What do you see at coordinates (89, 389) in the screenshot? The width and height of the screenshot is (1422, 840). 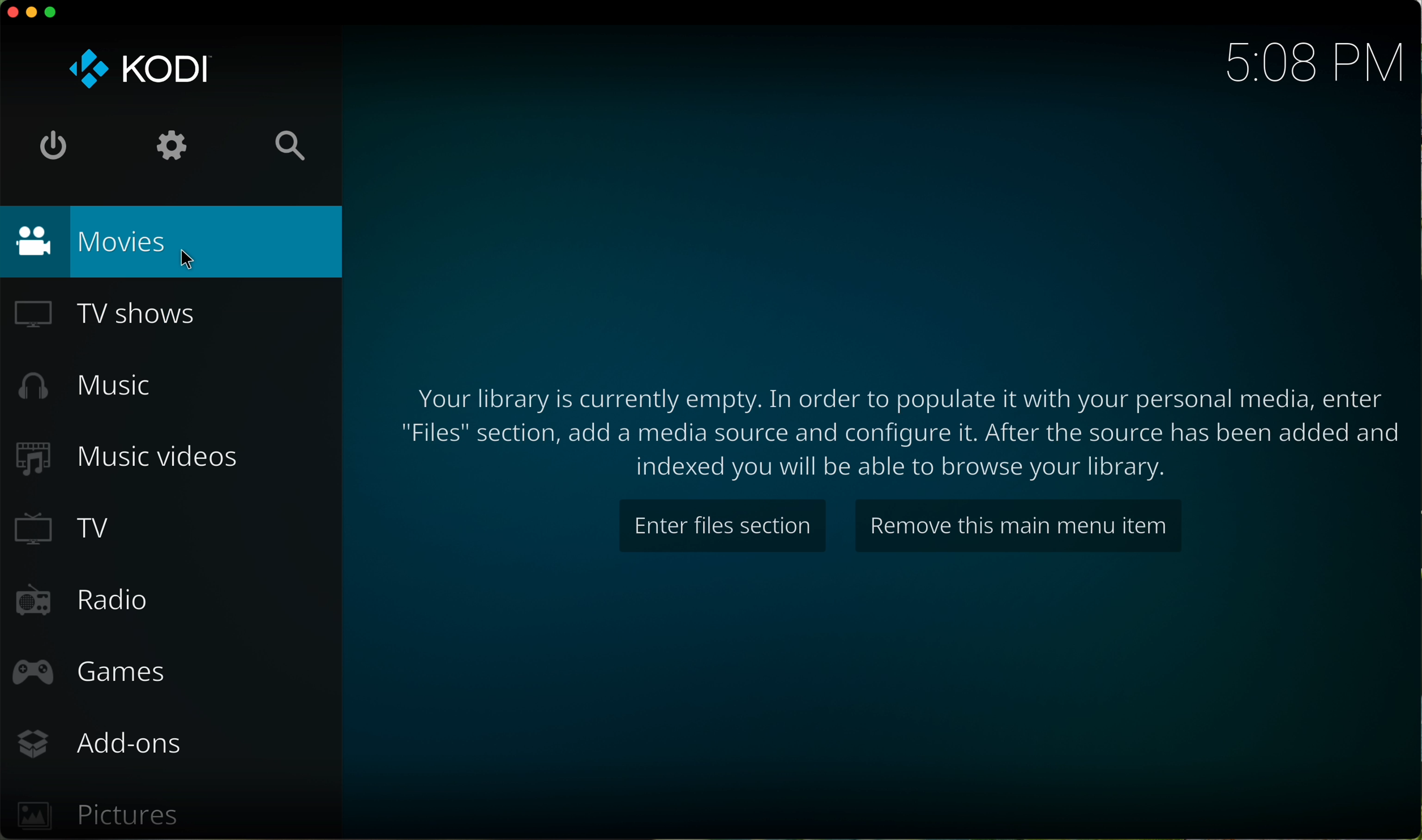 I see `music` at bounding box center [89, 389].